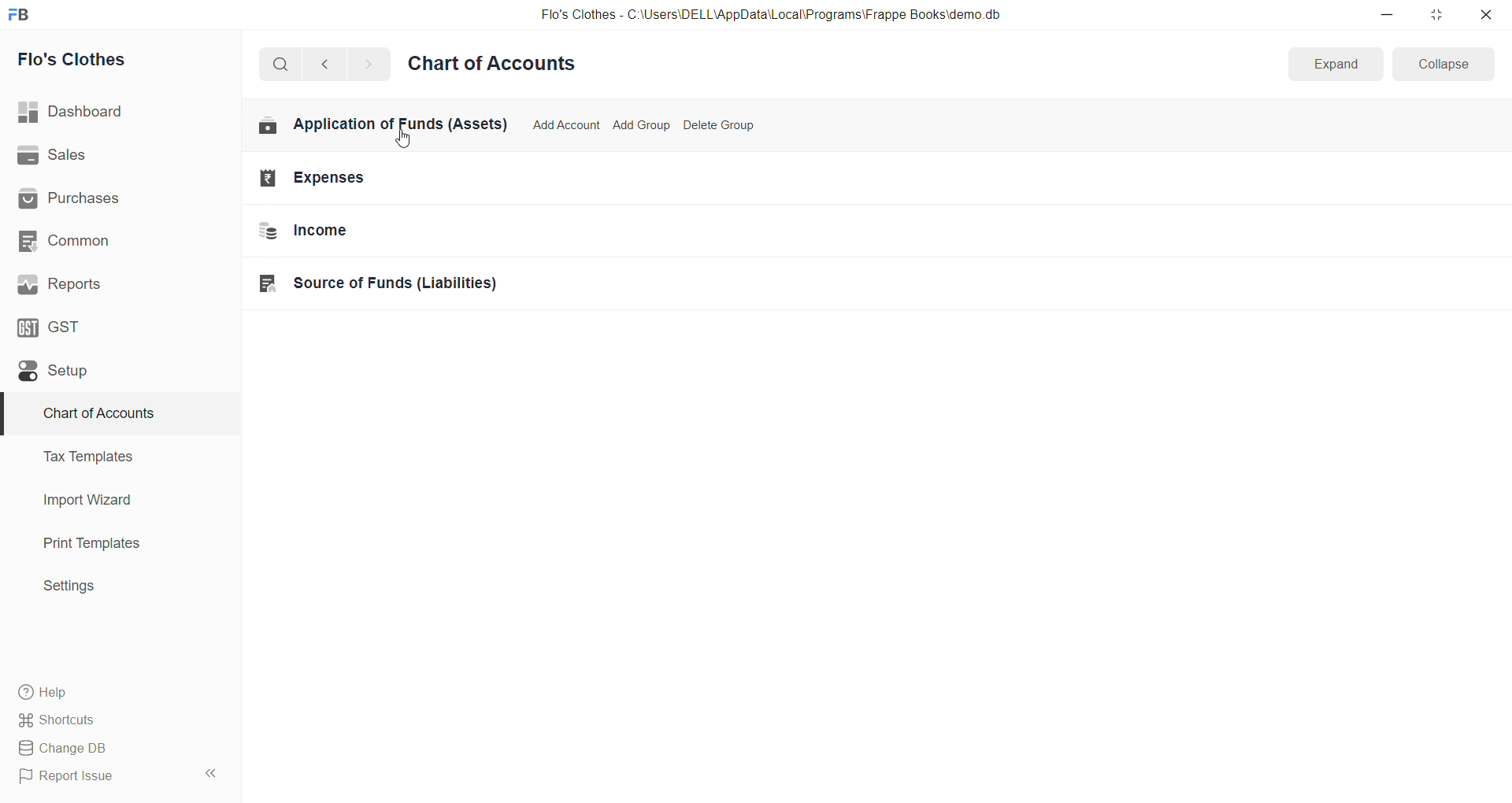 The width and height of the screenshot is (1512, 803). Describe the element at coordinates (380, 176) in the screenshot. I see `Expenses` at that location.